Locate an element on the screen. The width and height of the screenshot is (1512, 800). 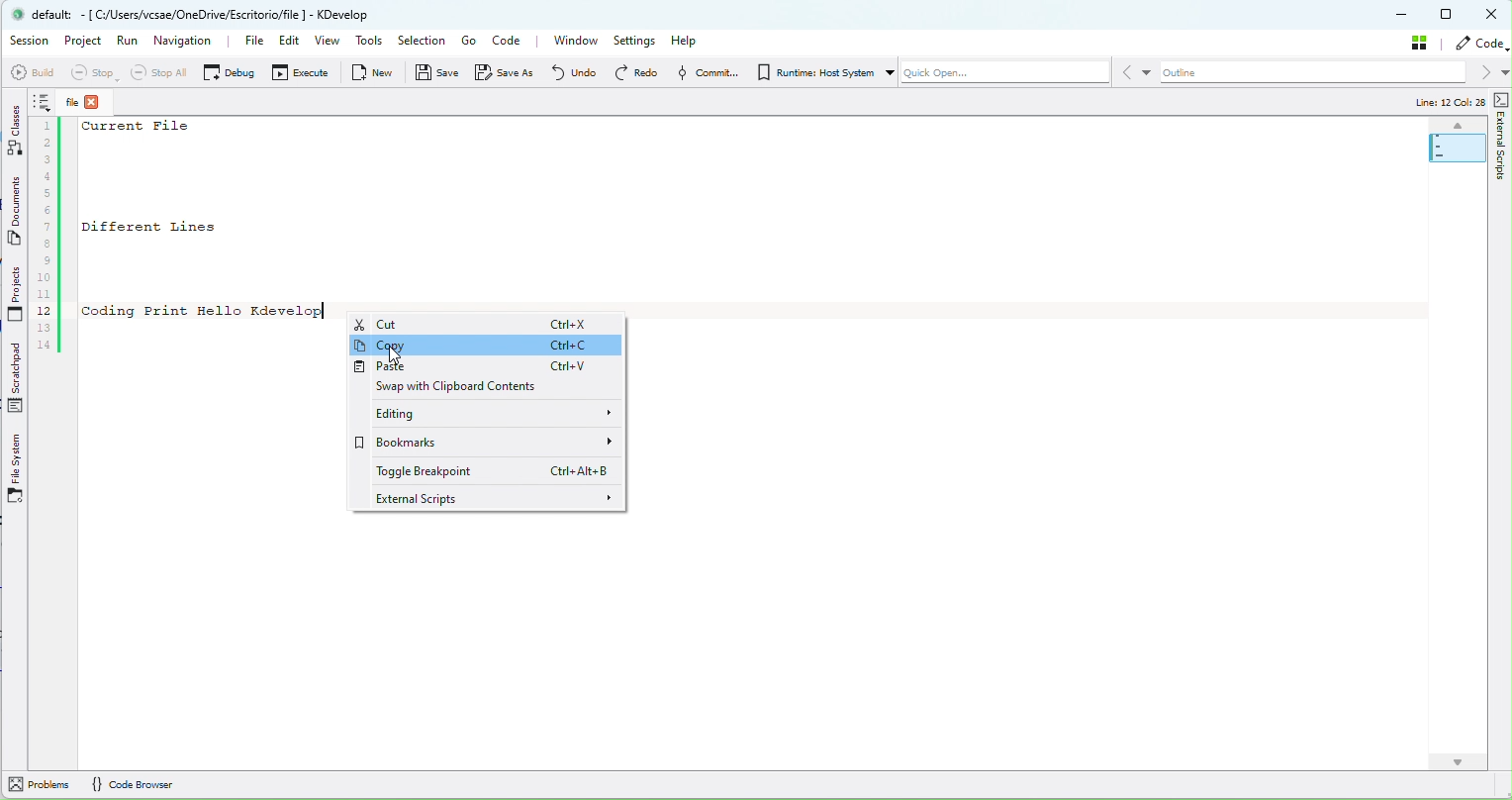
File close is located at coordinates (91, 102).